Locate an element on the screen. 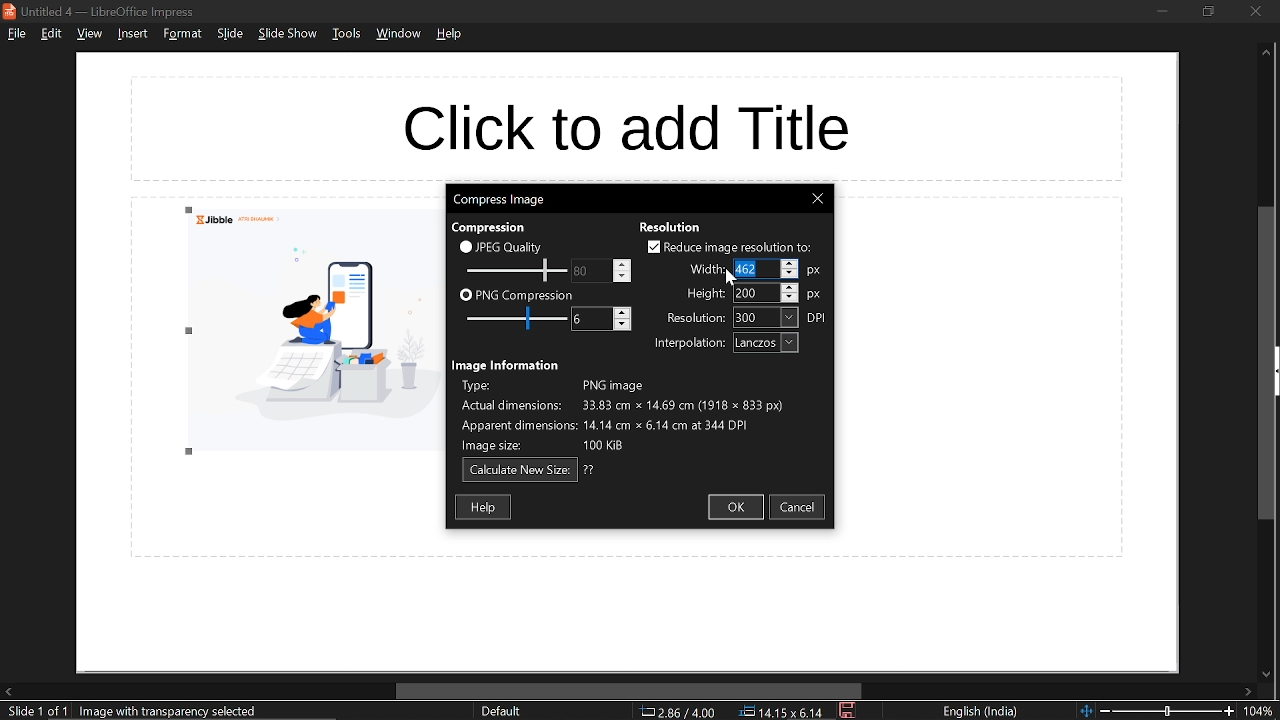  restore down is located at coordinates (1207, 11).